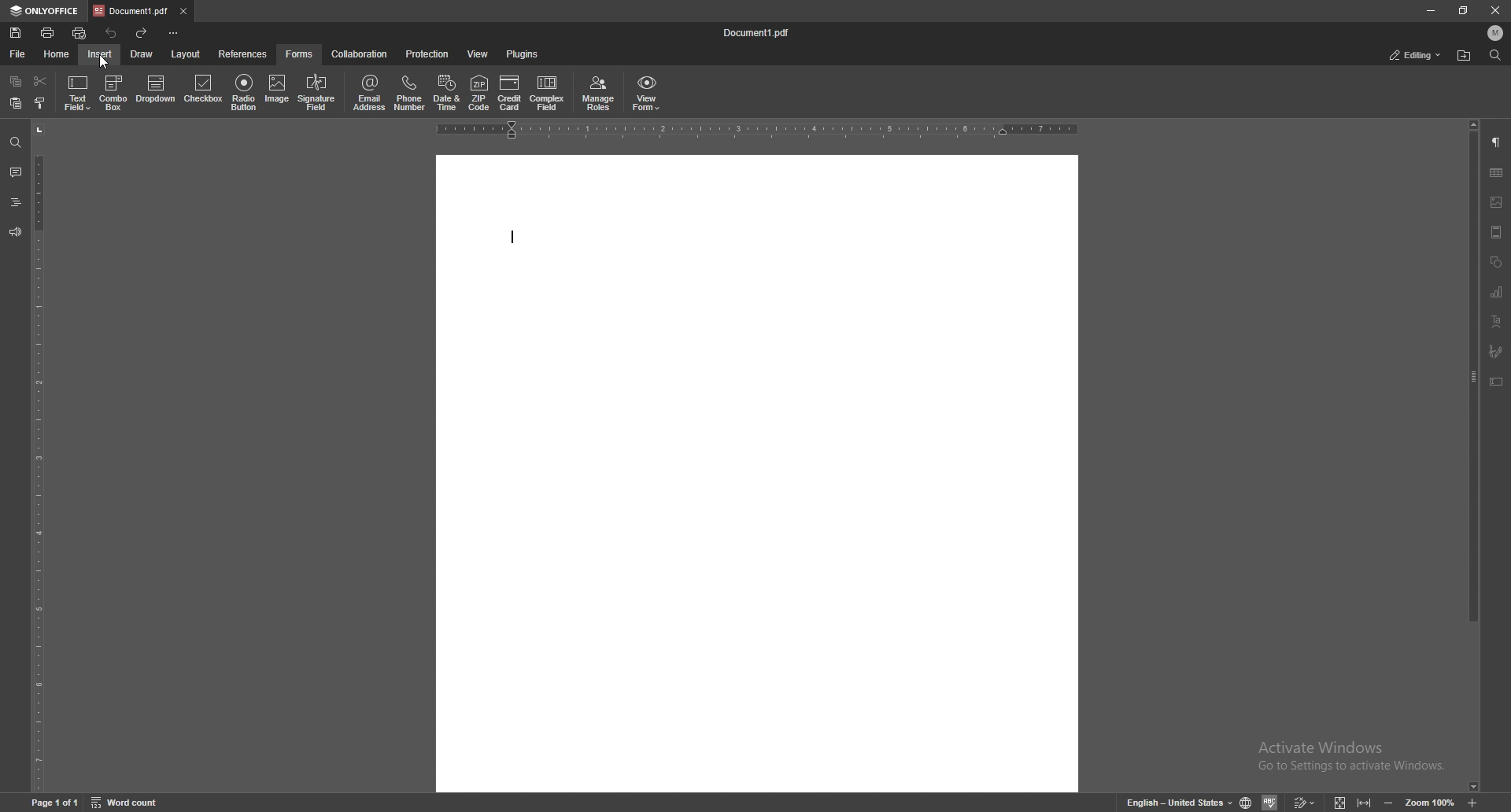  What do you see at coordinates (411, 93) in the screenshot?
I see `phone number` at bounding box center [411, 93].